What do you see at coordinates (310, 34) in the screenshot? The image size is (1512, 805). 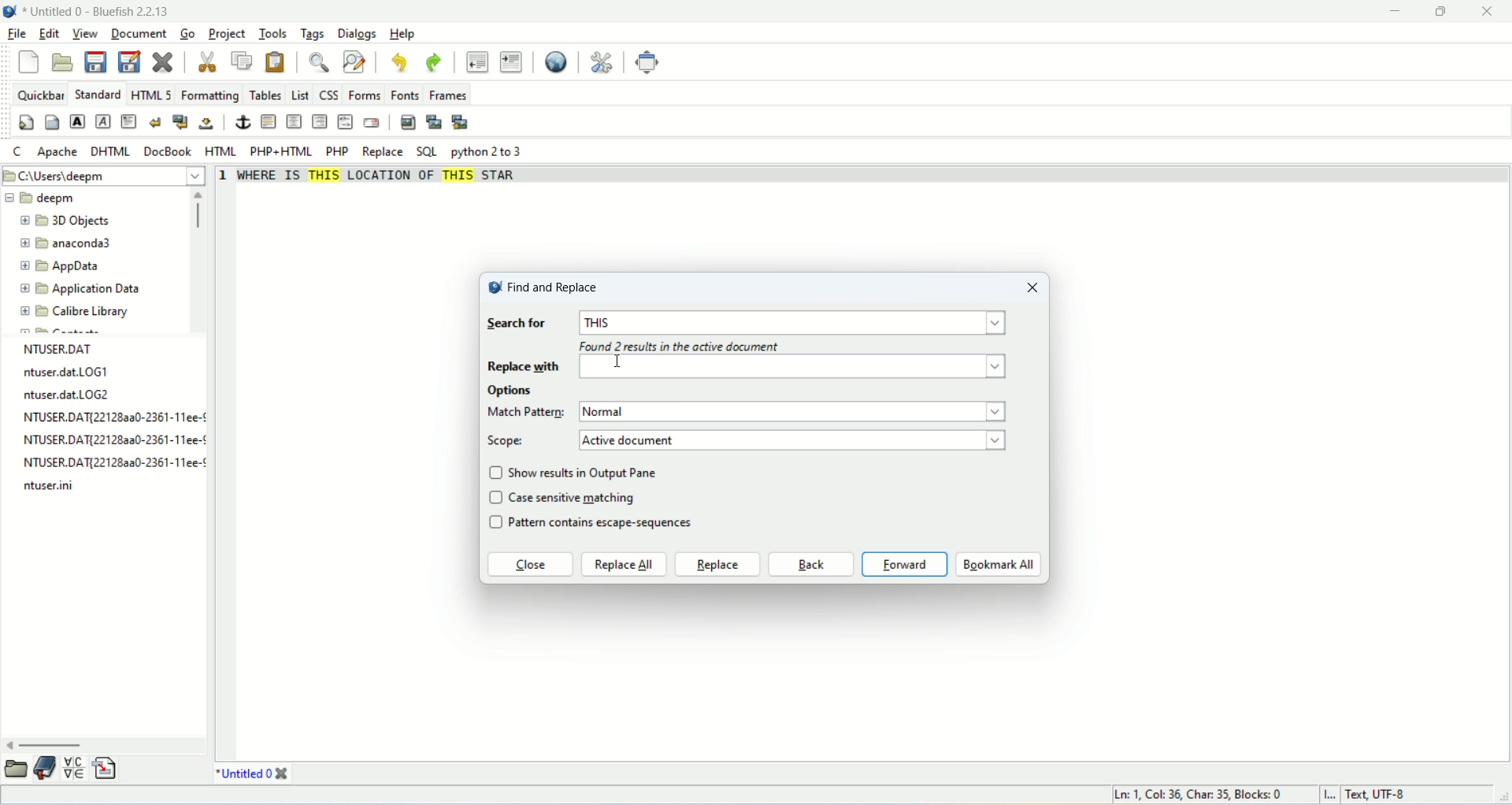 I see `tags` at bounding box center [310, 34].